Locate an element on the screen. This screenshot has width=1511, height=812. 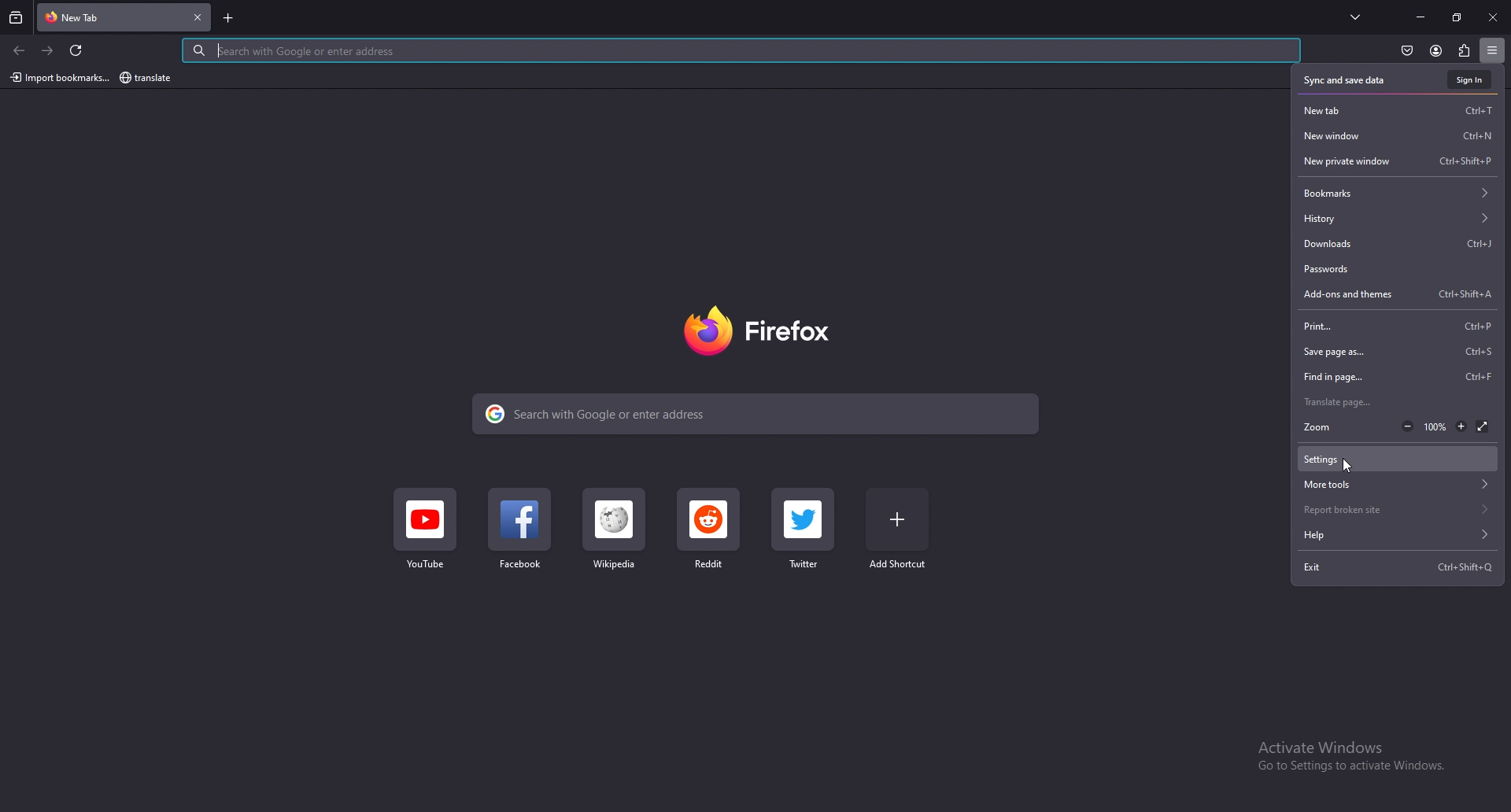
bookmarks is located at coordinates (1398, 193).